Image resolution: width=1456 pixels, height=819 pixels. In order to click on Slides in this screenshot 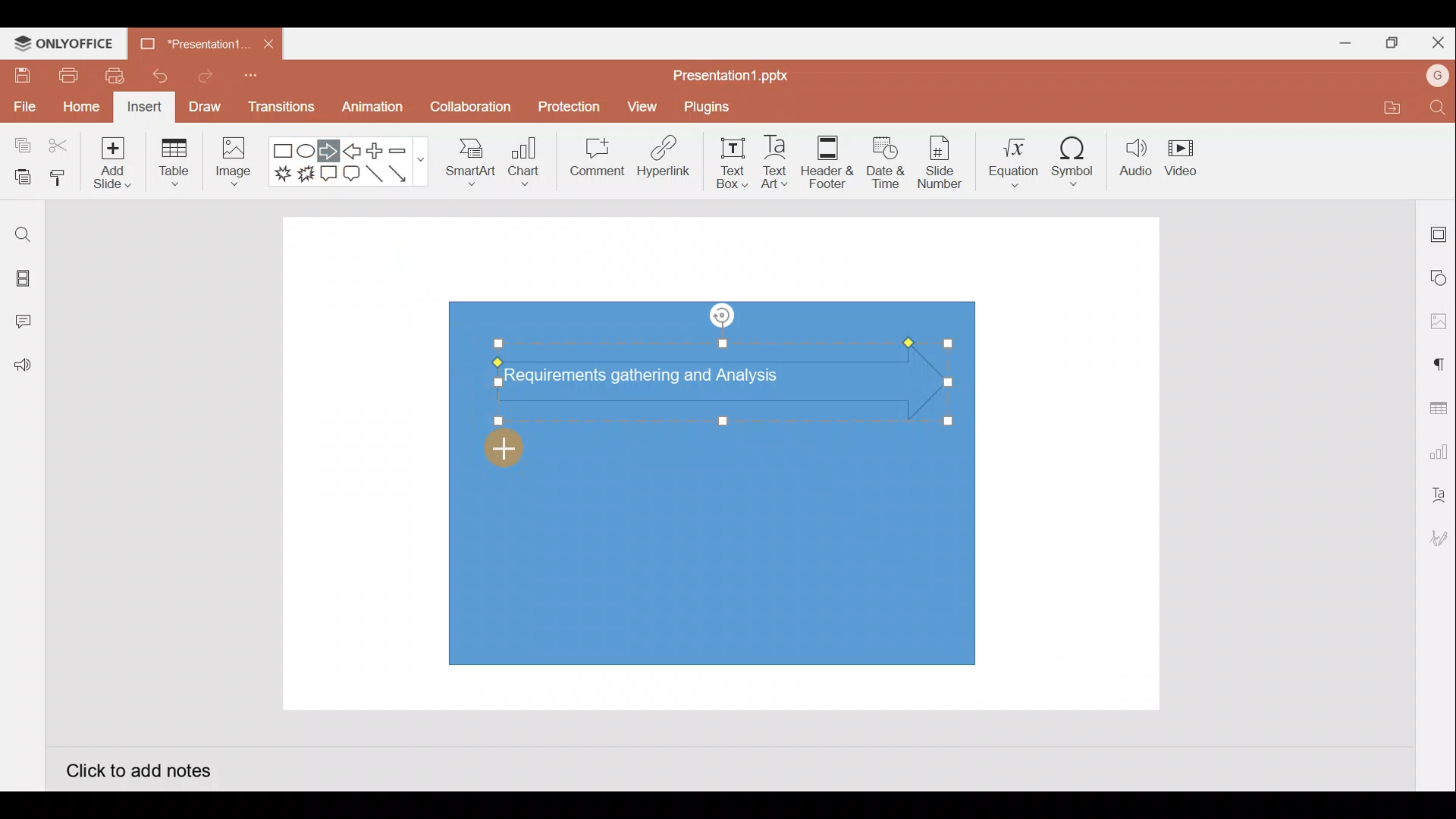, I will do `click(21, 281)`.